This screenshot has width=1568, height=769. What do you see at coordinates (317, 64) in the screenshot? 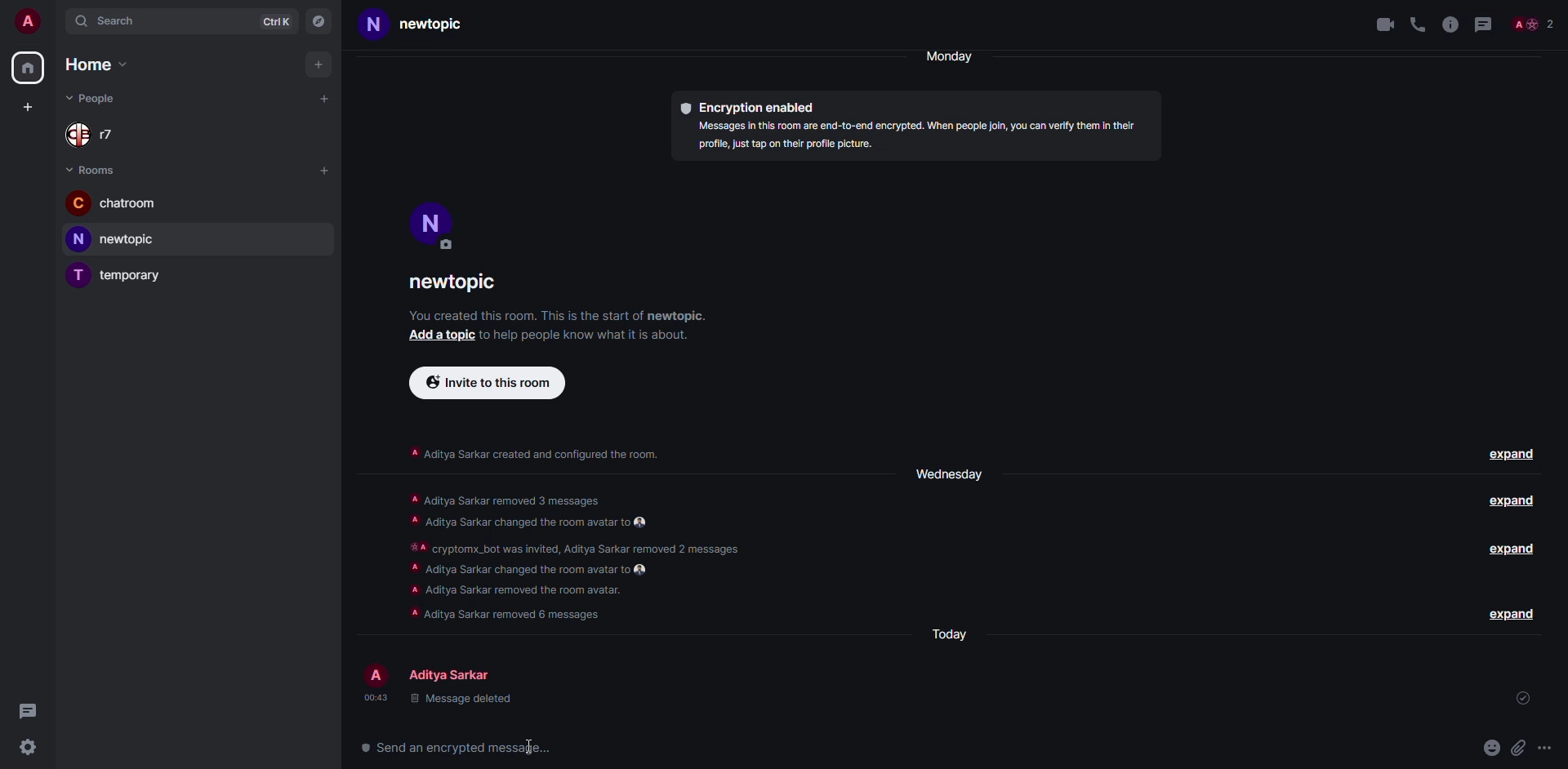
I see `add` at bounding box center [317, 64].